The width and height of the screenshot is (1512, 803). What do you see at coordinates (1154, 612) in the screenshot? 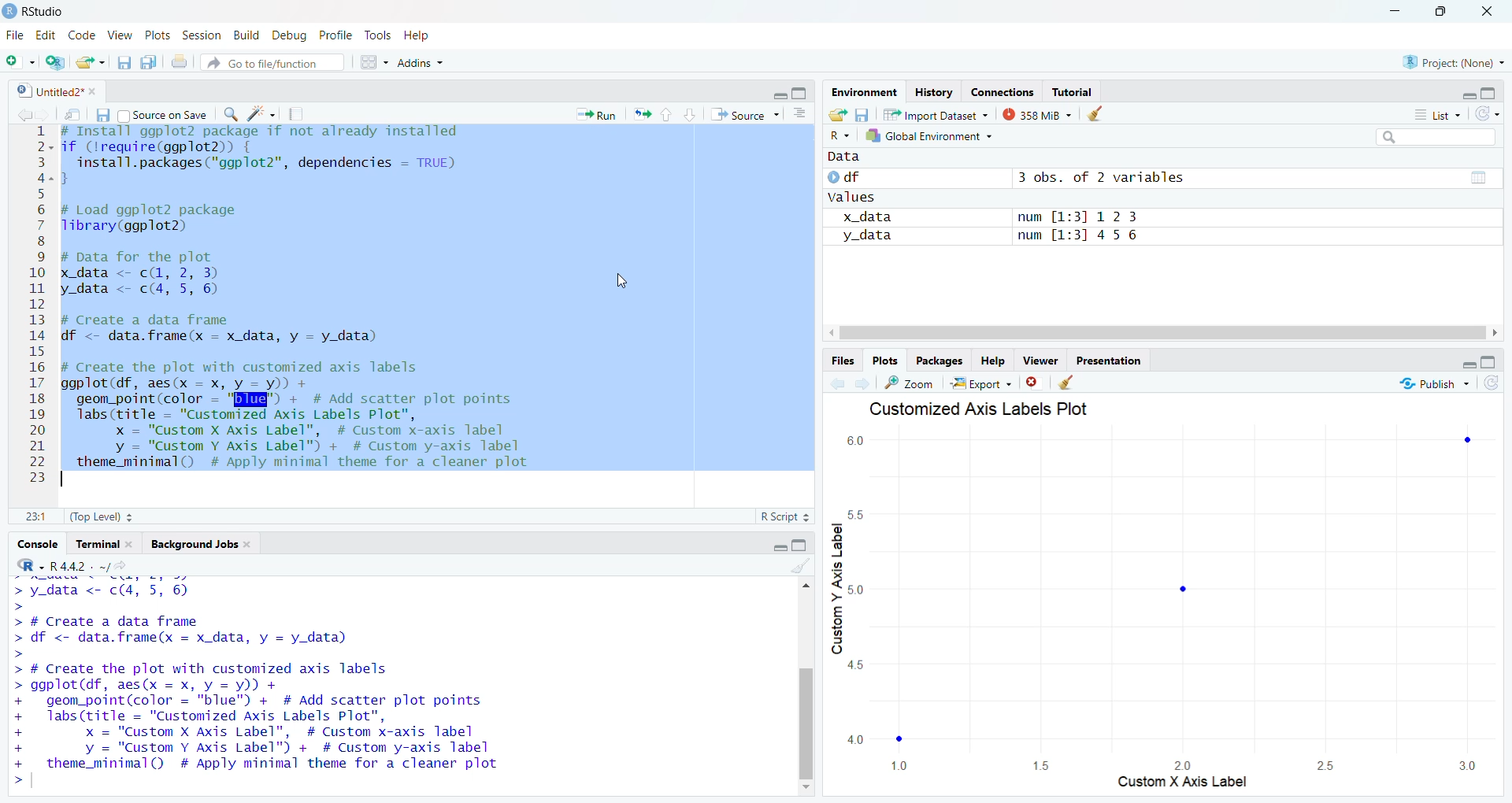
I see `chart` at bounding box center [1154, 612].